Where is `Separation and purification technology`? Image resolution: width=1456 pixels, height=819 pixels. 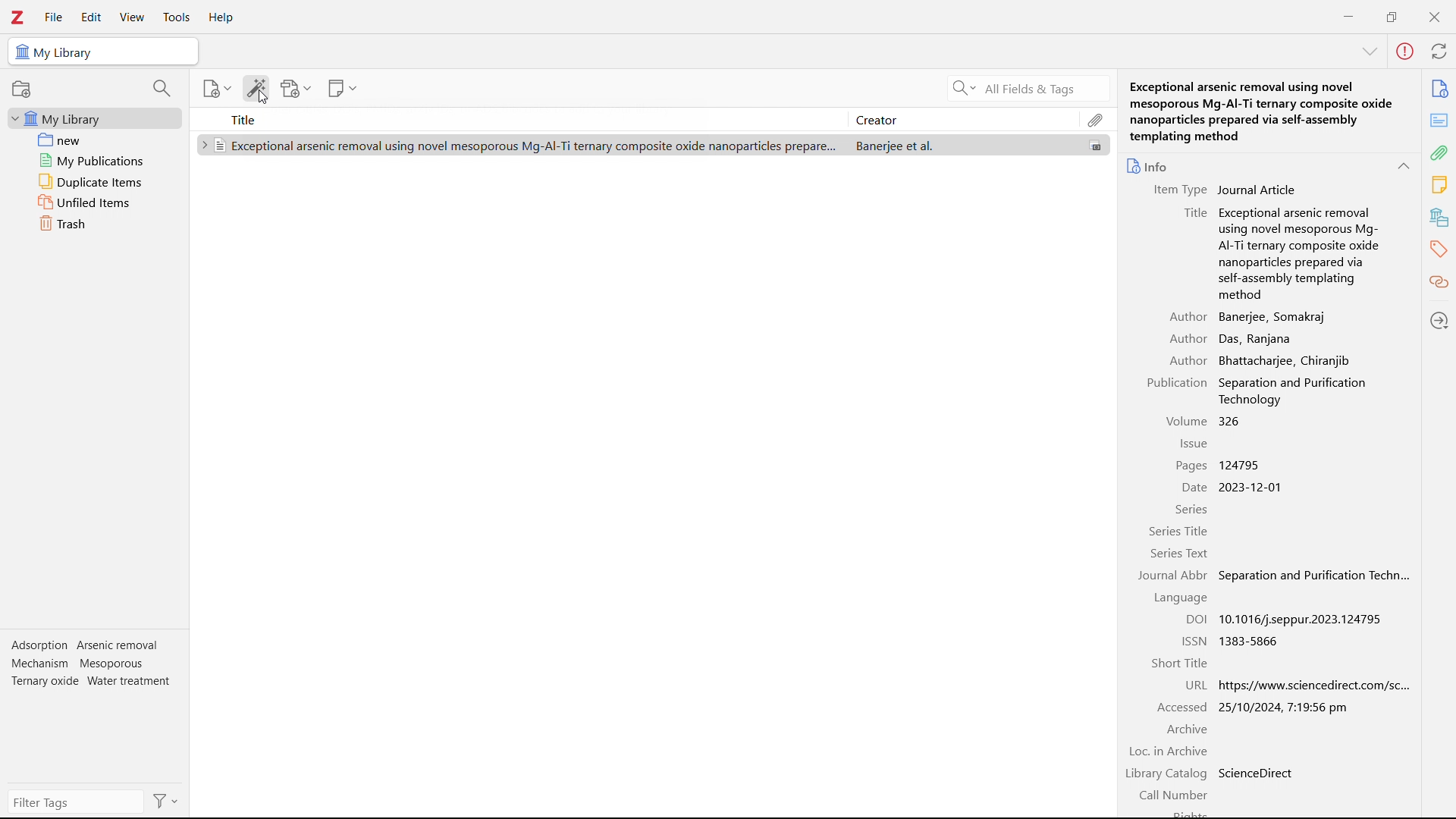 Separation and purification technology is located at coordinates (1313, 575).